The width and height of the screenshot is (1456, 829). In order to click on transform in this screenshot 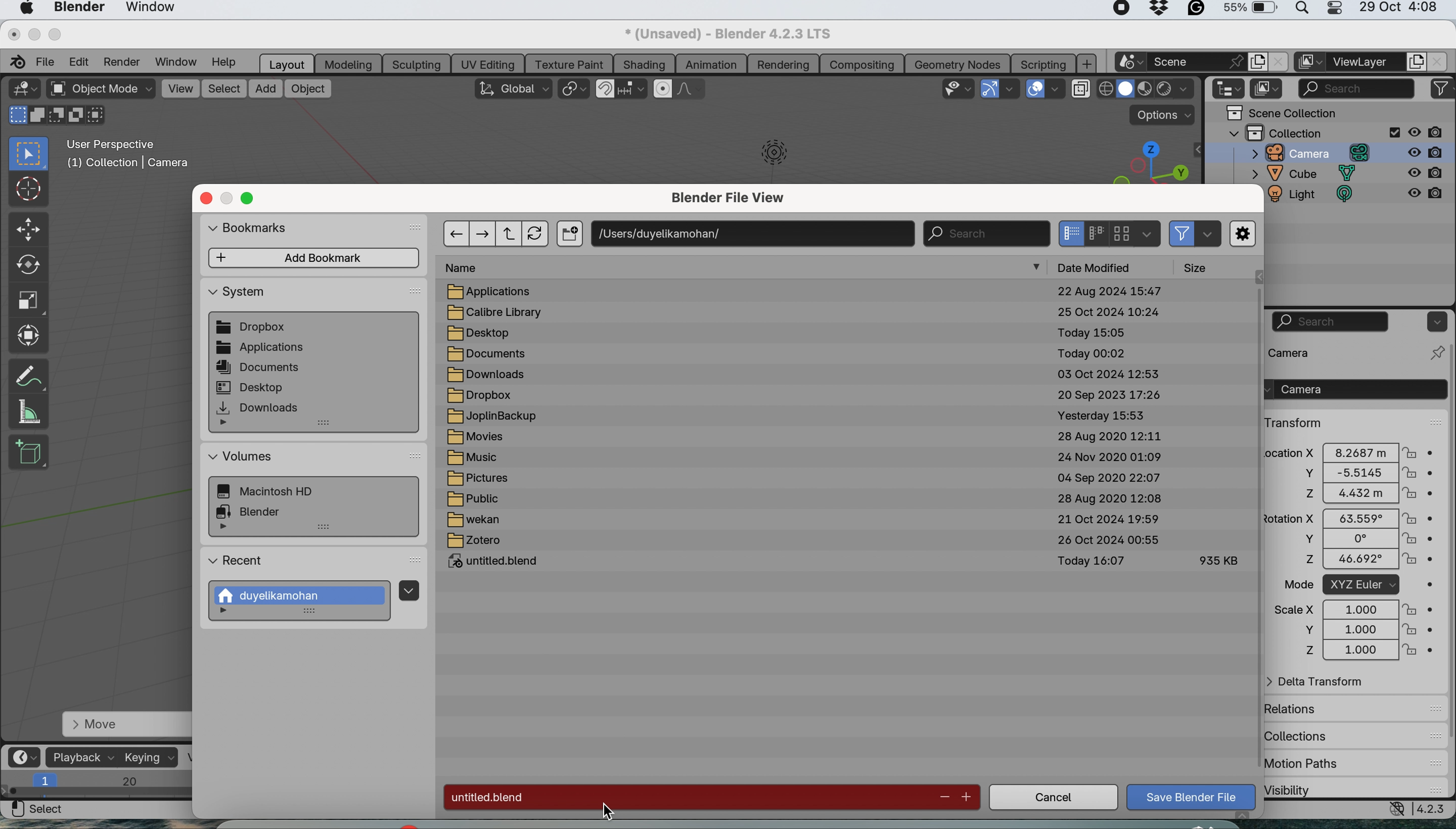, I will do `click(28, 334)`.